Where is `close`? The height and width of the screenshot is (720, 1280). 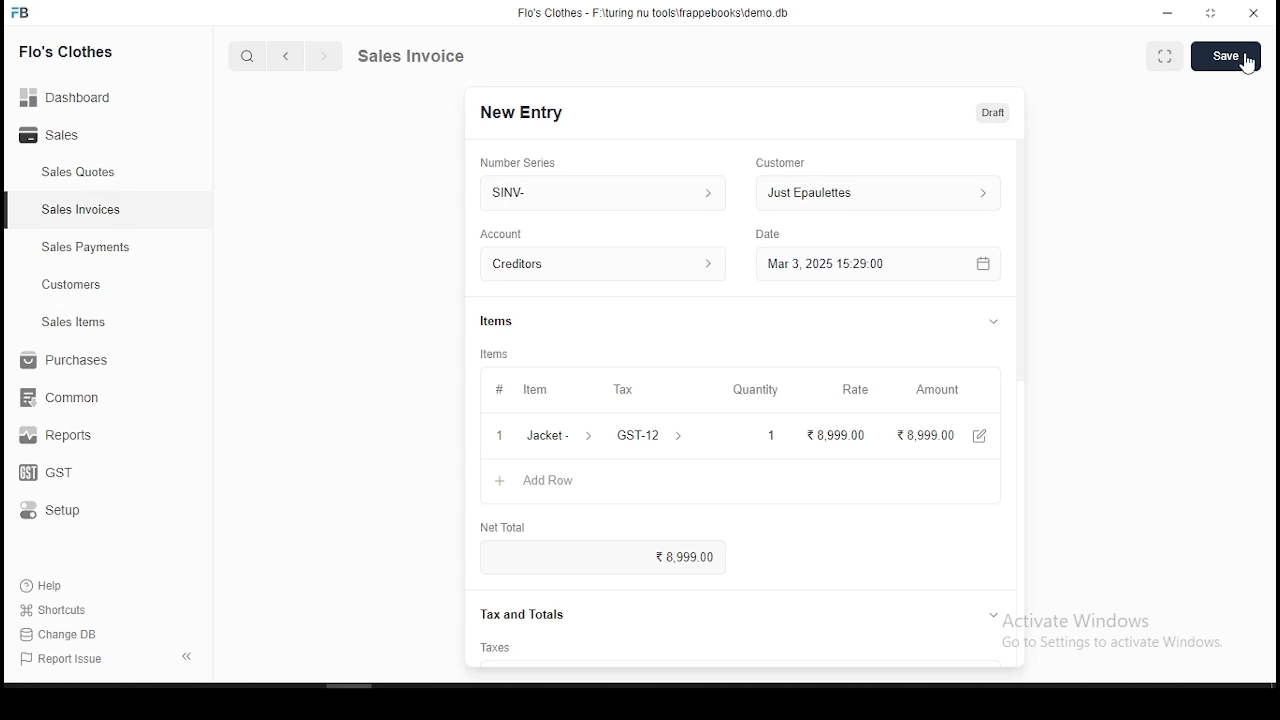 close is located at coordinates (1254, 12).